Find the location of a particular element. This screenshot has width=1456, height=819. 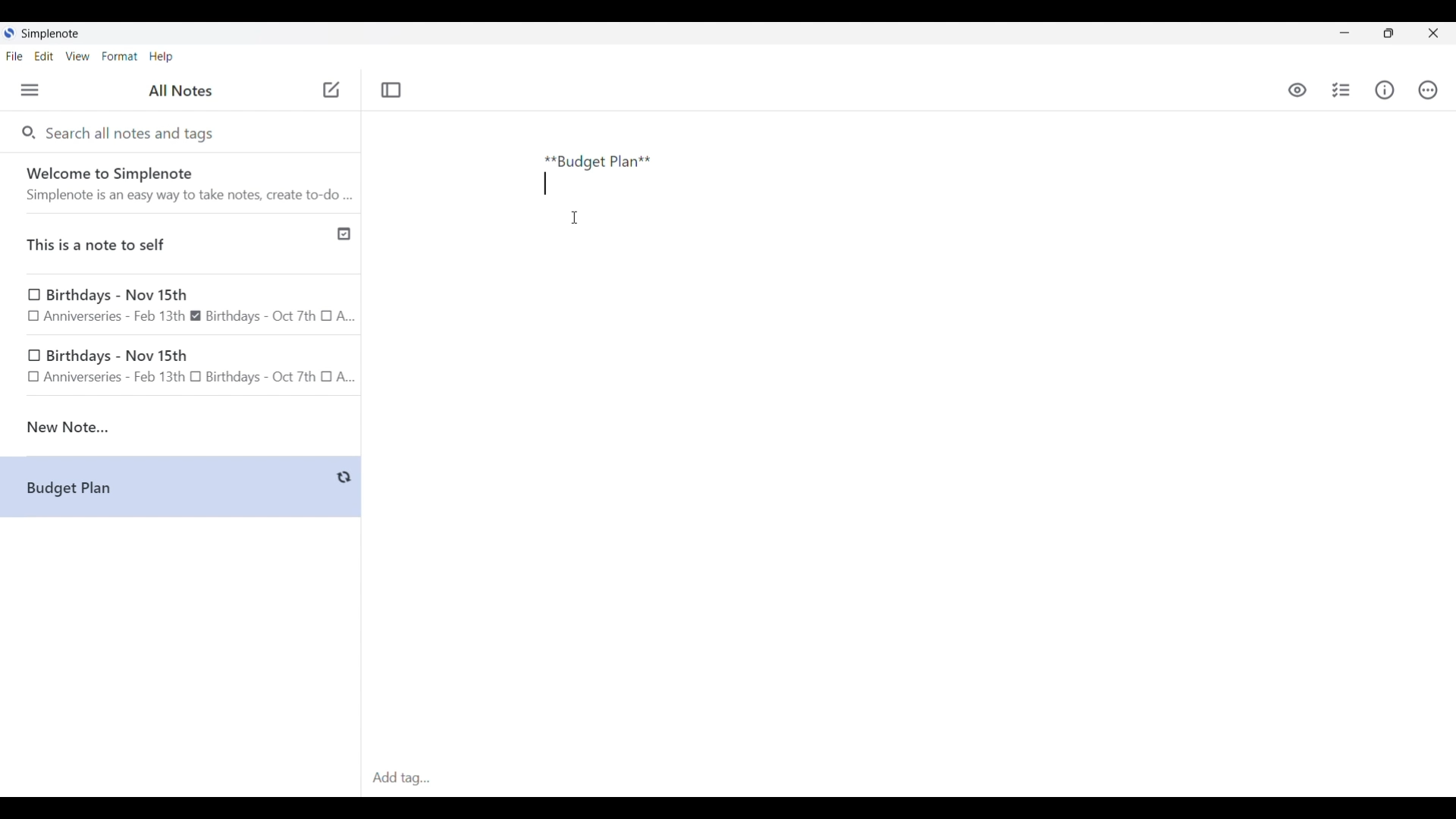

Search all notes and tags is located at coordinates (133, 132).